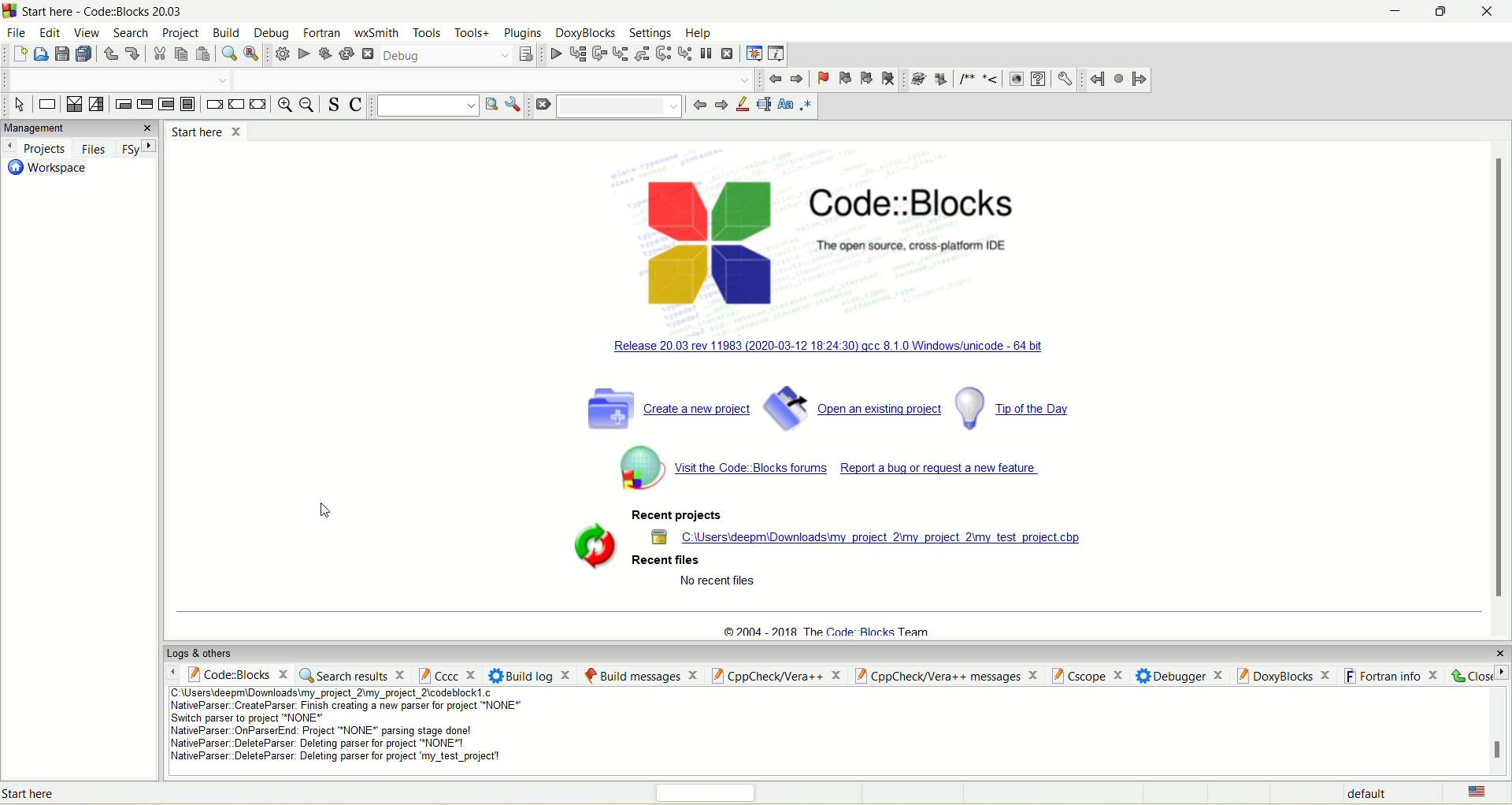  Describe the element at coordinates (166, 105) in the screenshot. I see `counting loop` at that location.